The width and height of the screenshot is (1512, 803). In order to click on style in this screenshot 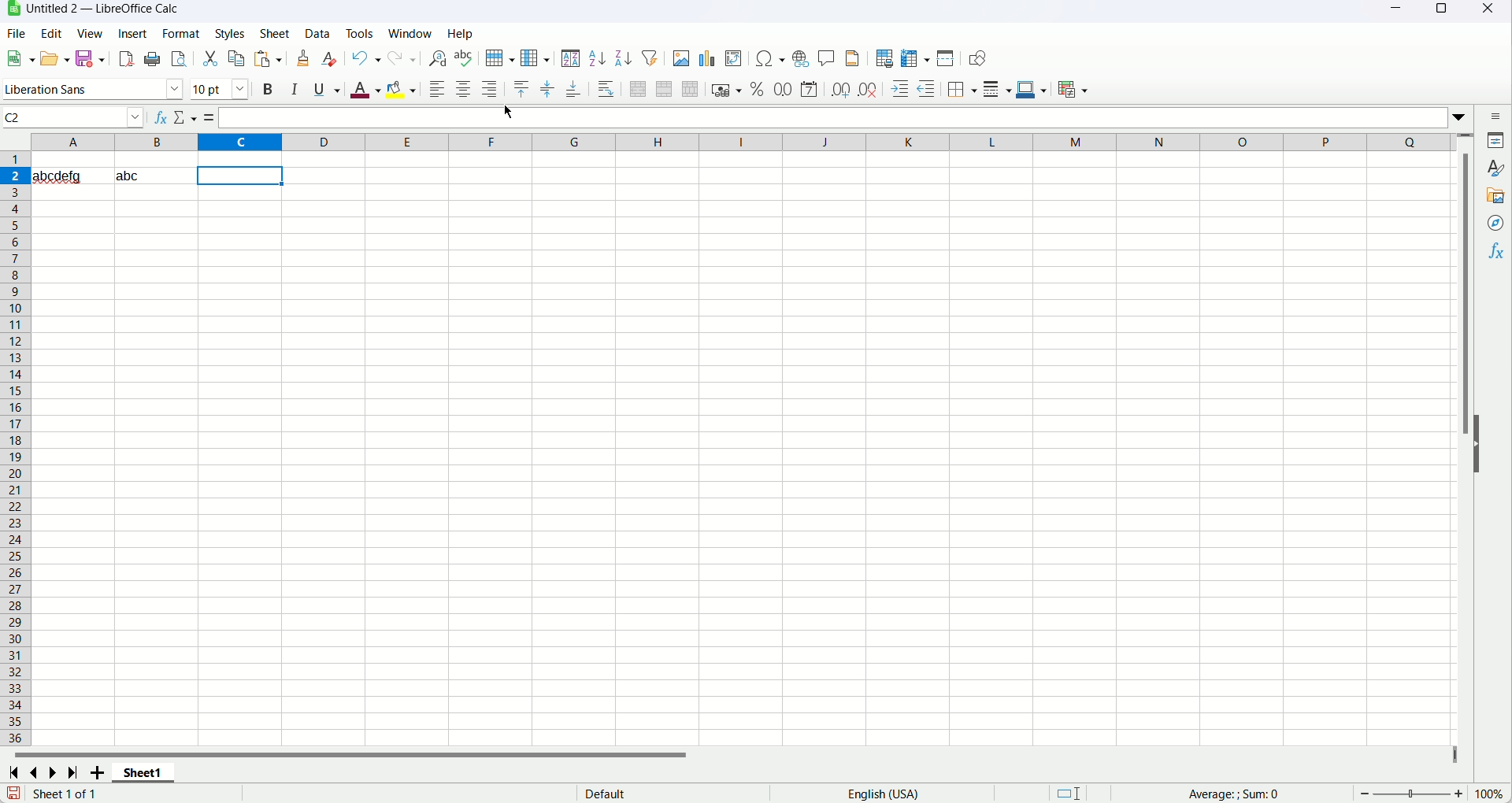, I will do `click(1492, 168)`.